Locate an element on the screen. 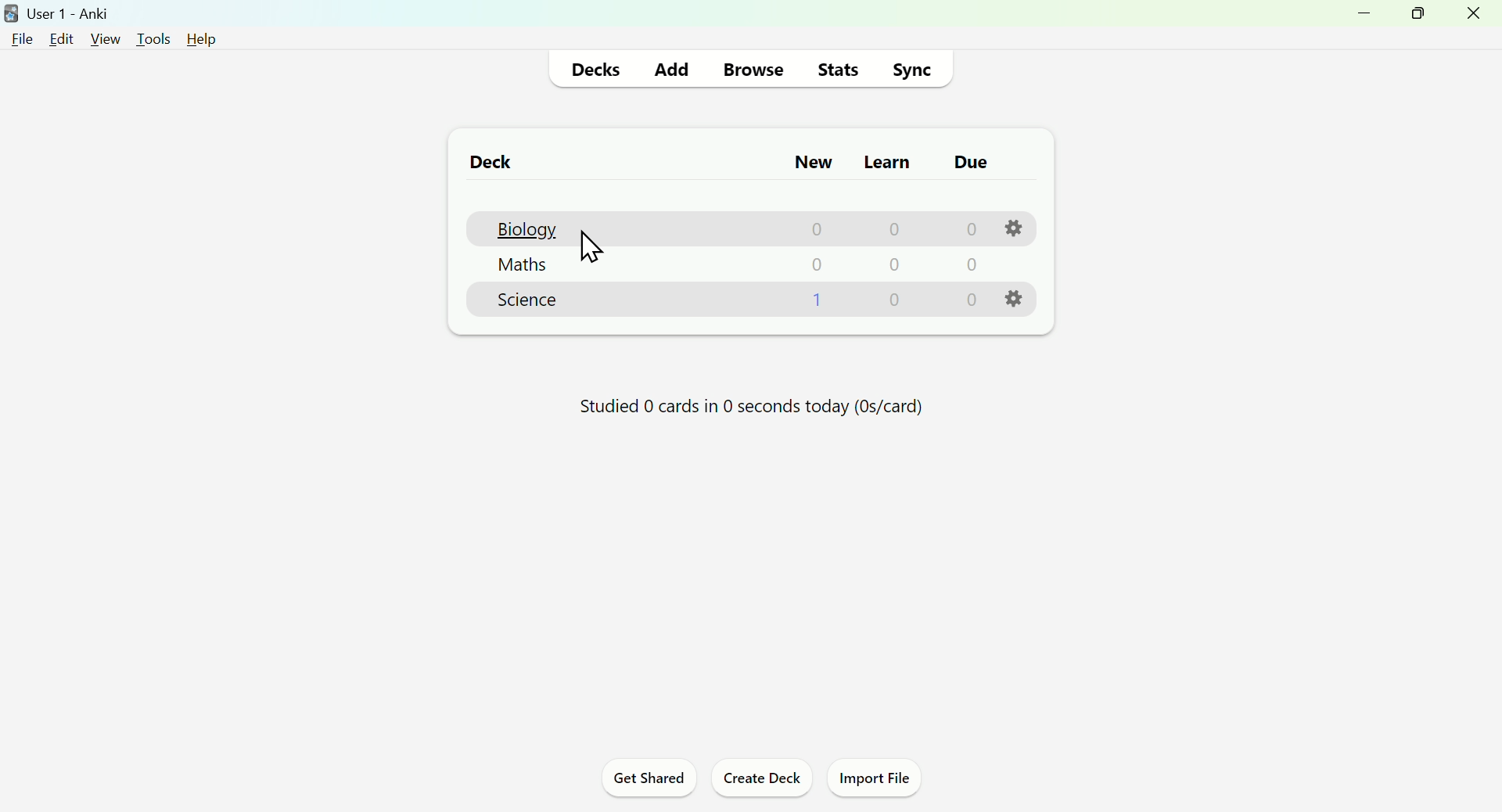  Science is located at coordinates (526, 304).